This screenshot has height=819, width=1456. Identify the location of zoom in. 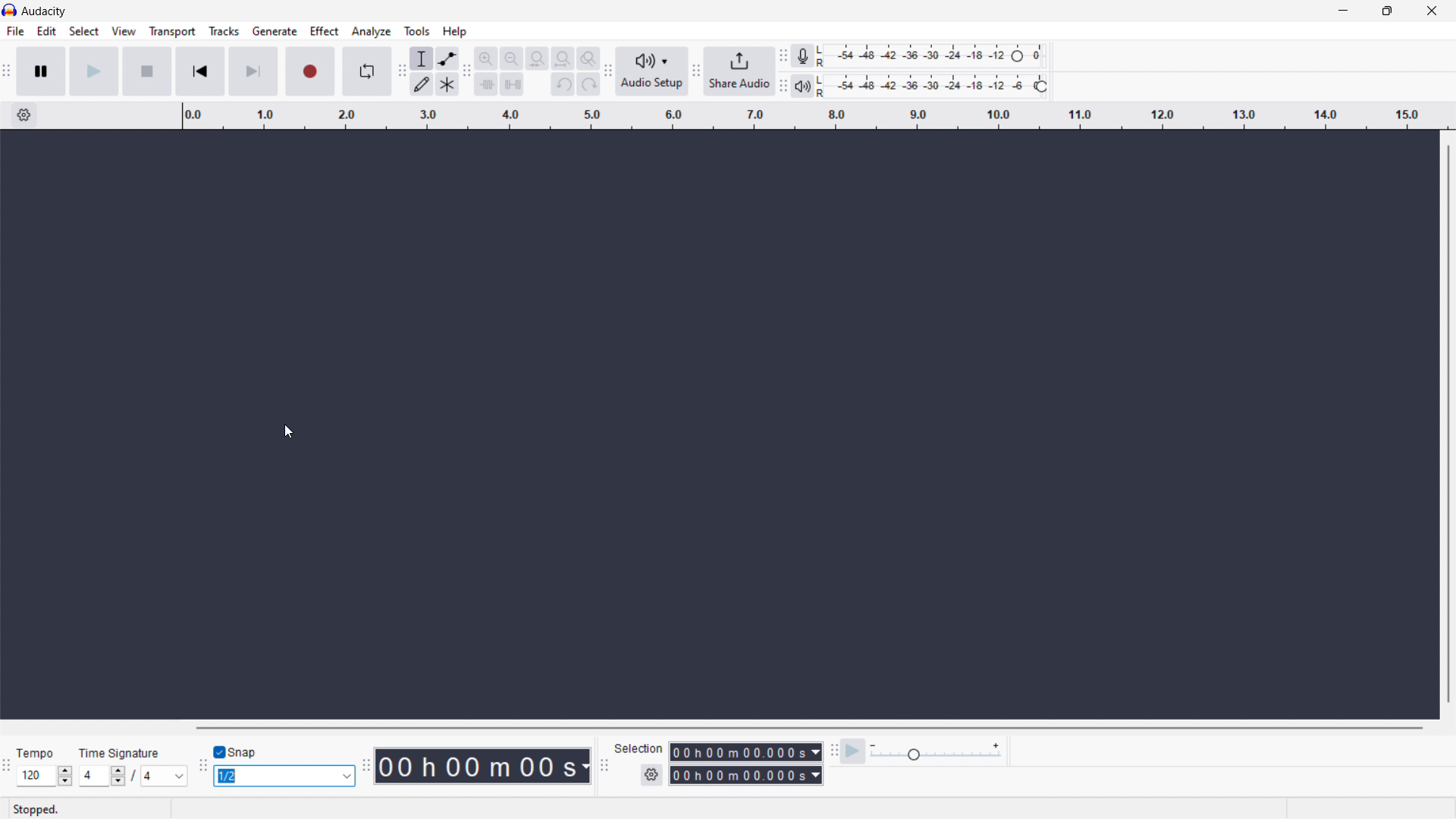
(487, 58).